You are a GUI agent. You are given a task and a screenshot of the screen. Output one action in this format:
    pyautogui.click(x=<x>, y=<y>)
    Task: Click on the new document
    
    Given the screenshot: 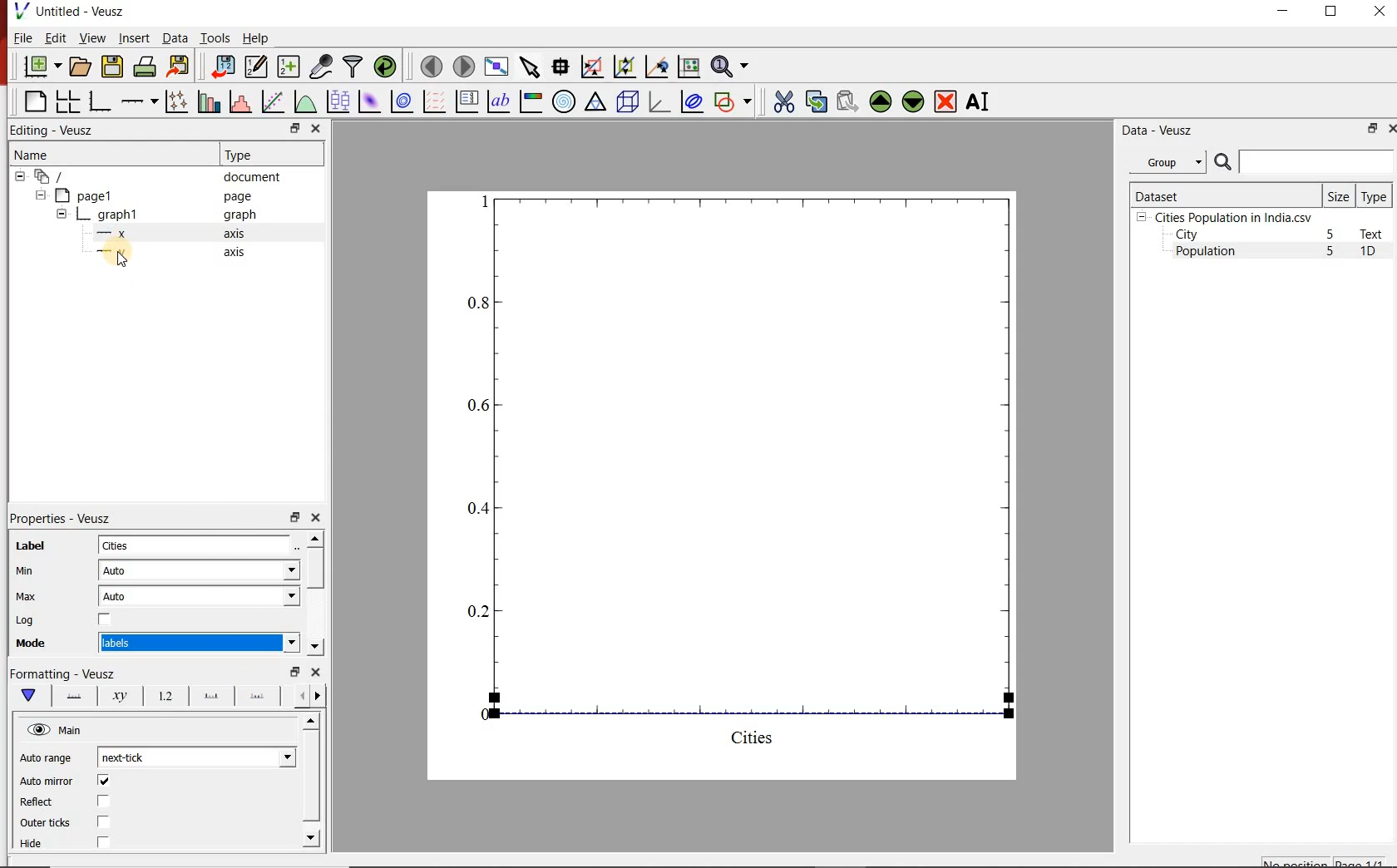 What is the action you would take?
    pyautogui.click(x=39, y=67)
    